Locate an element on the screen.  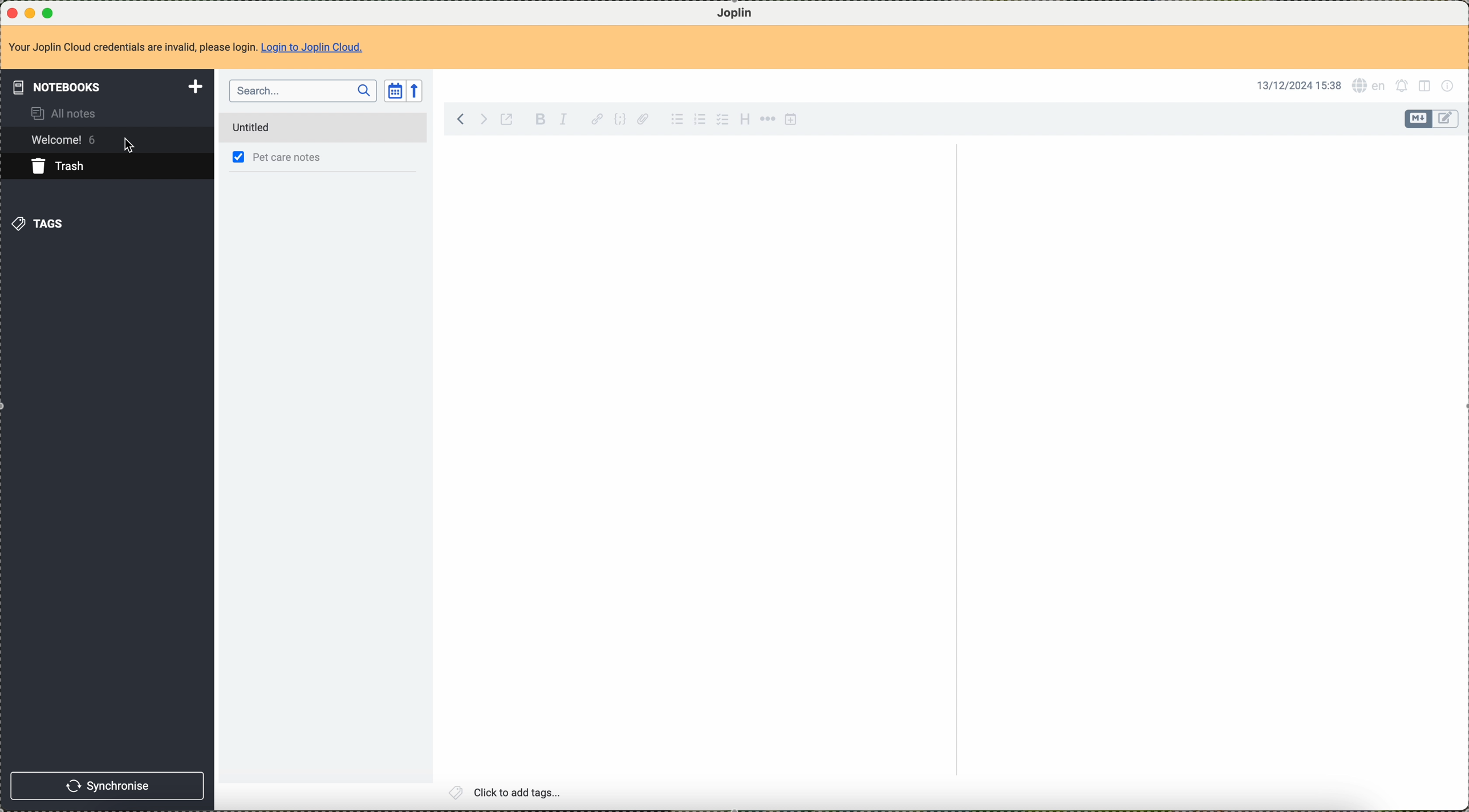
italic is located at coordinates (563, 120).